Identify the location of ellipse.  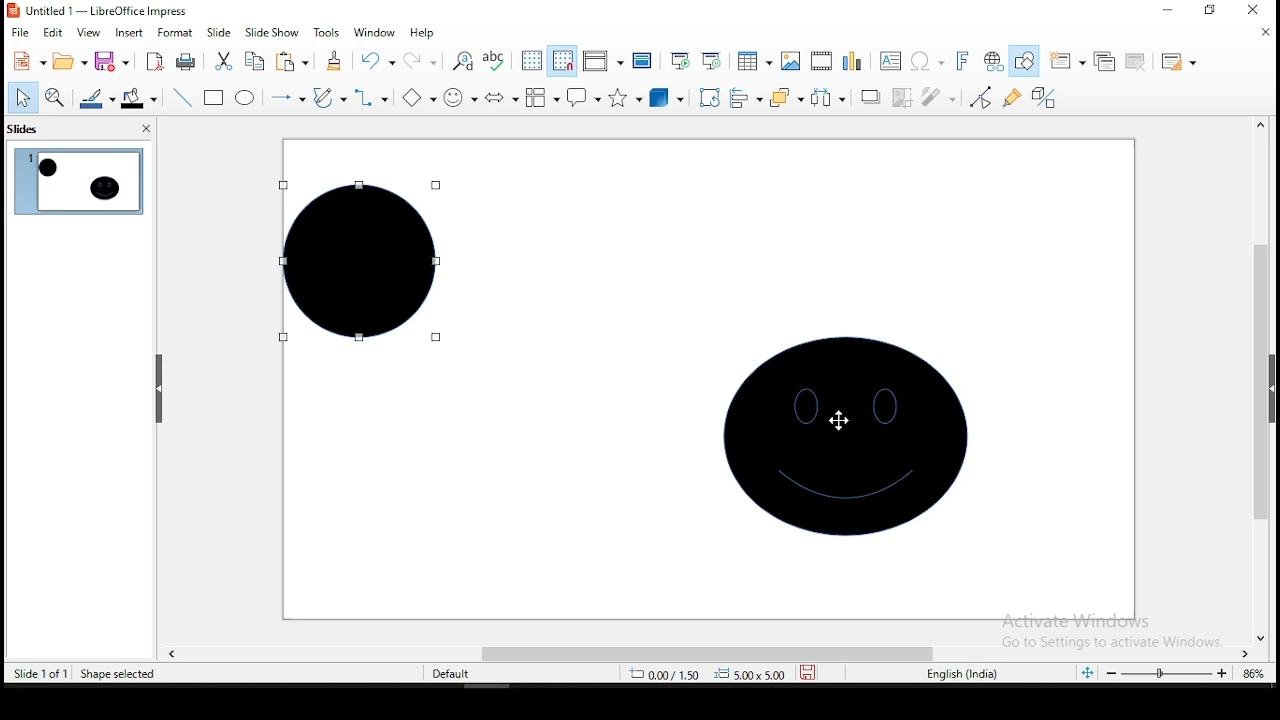
(244, 97).